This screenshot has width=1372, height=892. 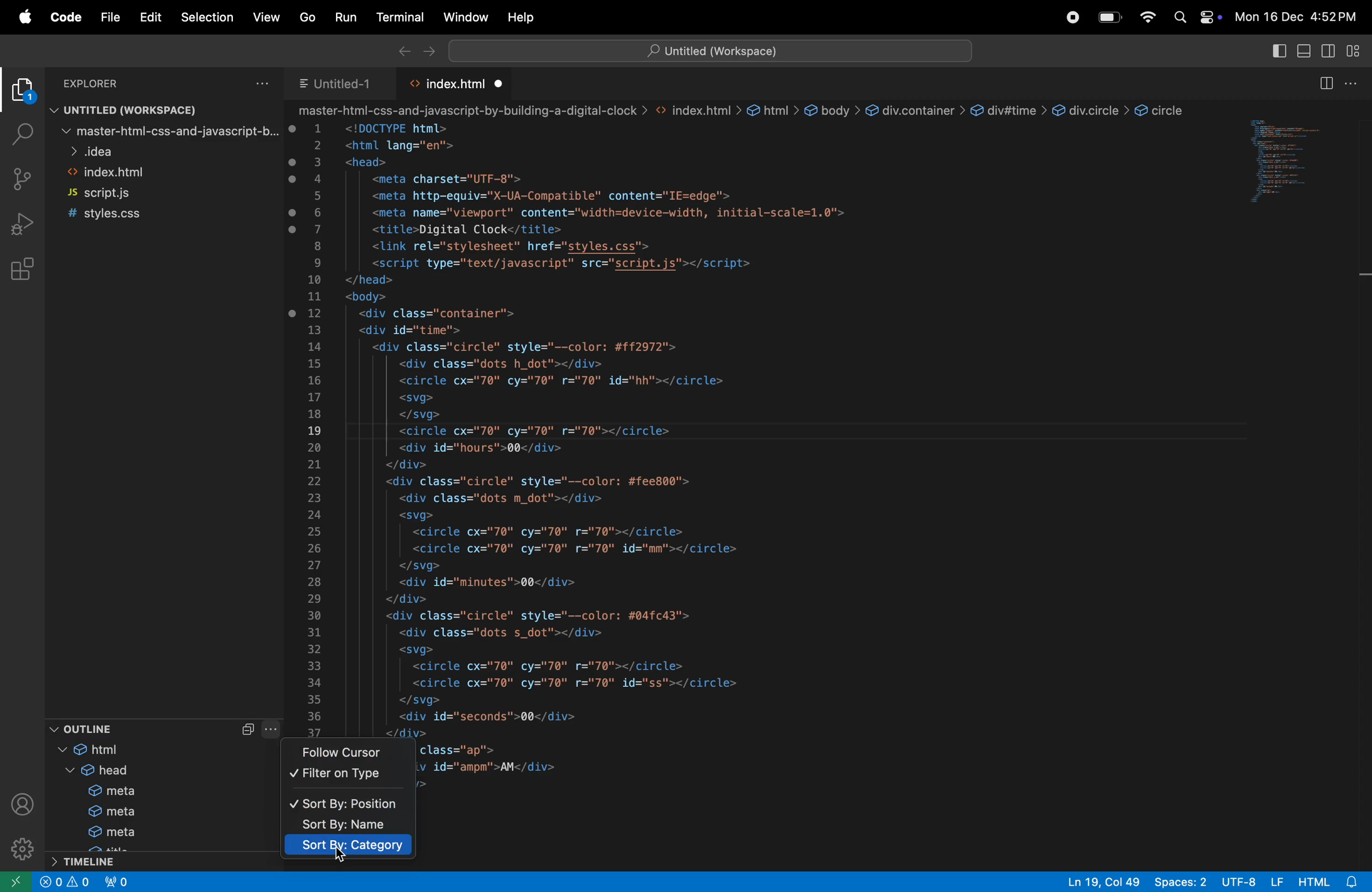 What do you see at coordinates (101, 833) in the screenshot?
I see `meta` at bounding box center [101, 833].